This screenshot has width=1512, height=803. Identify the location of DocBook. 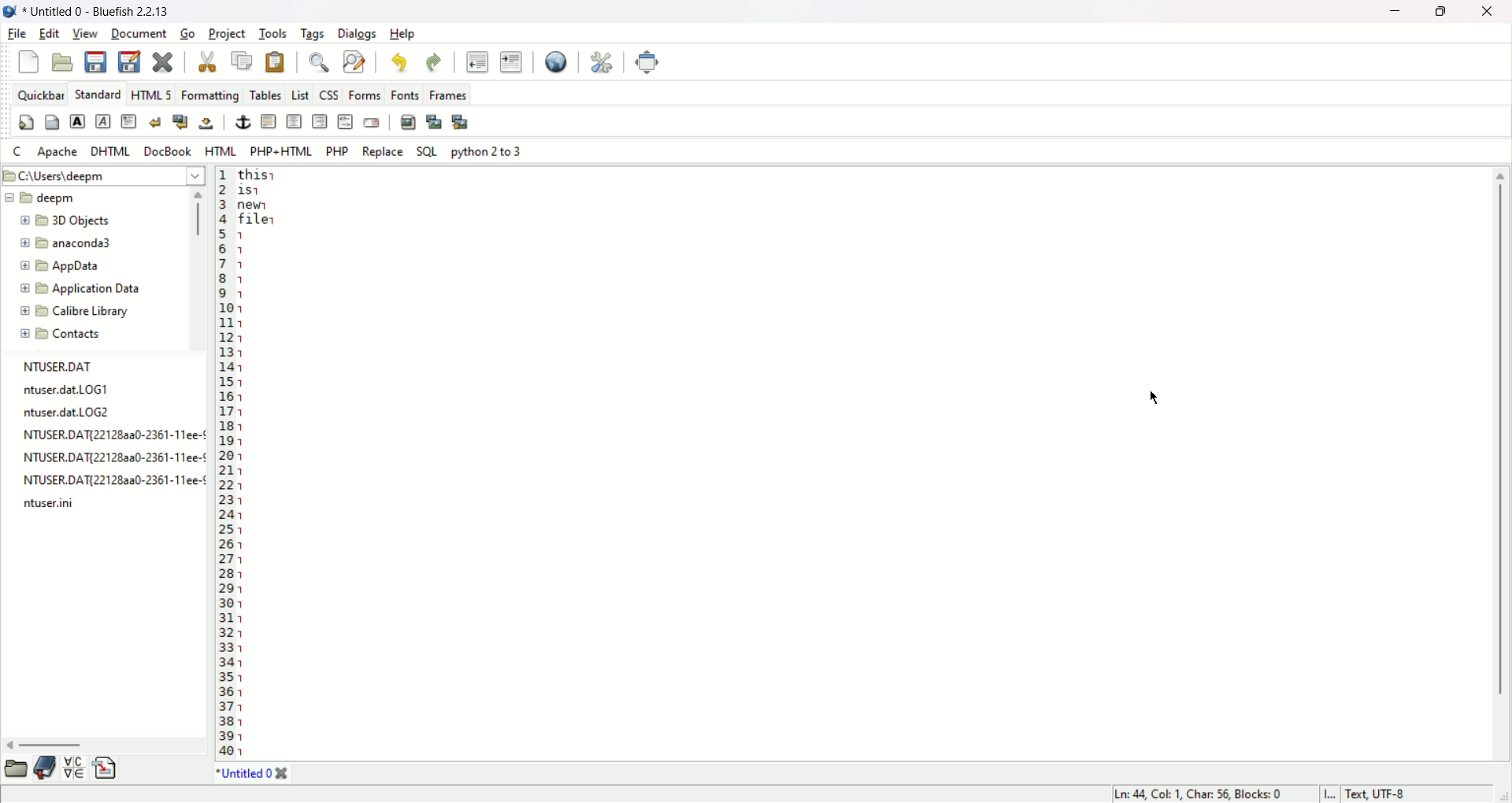
(166, 150).